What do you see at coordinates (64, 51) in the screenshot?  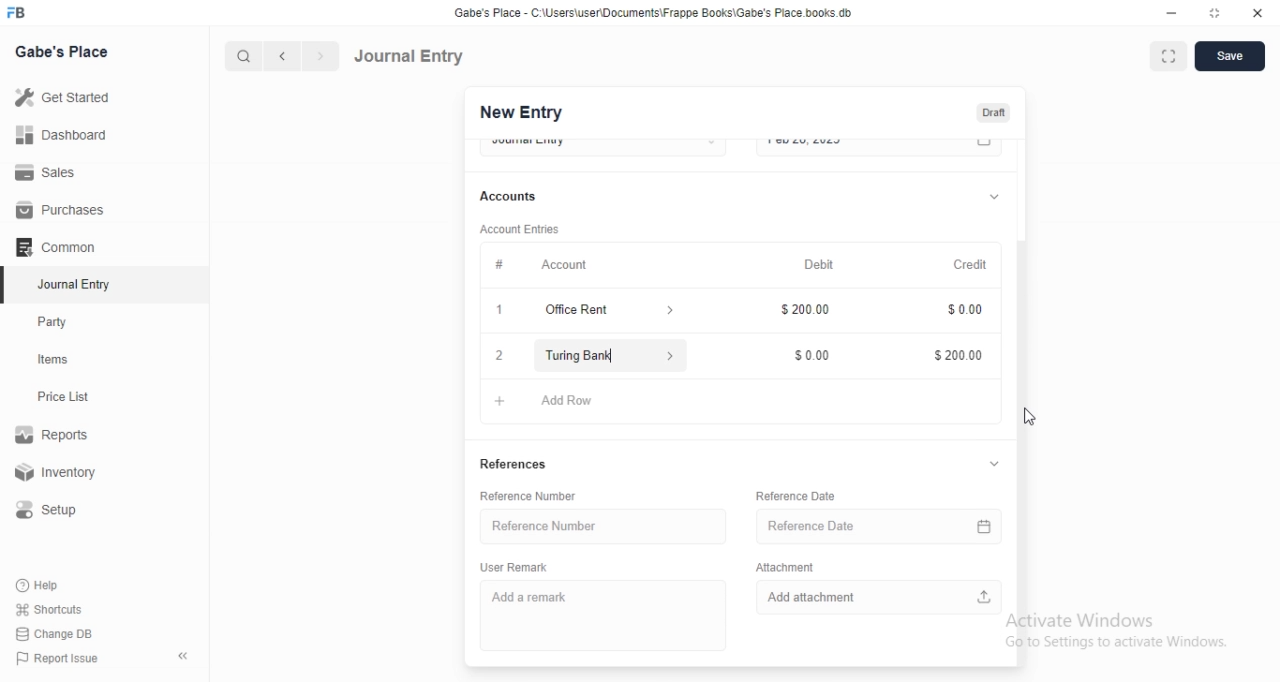 I see `Gabe's Place` at bounding box center [64, 51].